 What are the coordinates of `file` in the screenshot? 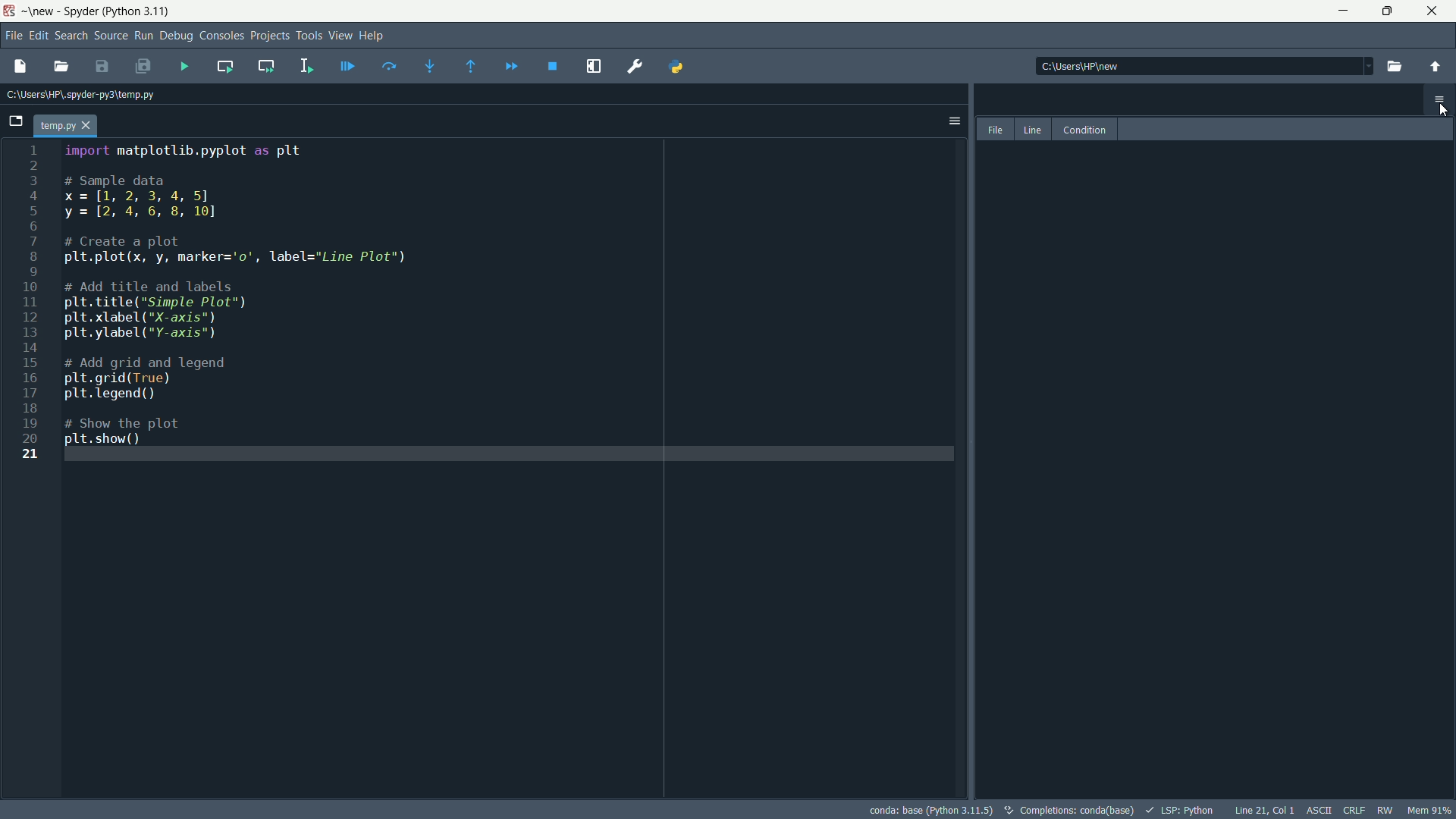 It's located at (992, 129).